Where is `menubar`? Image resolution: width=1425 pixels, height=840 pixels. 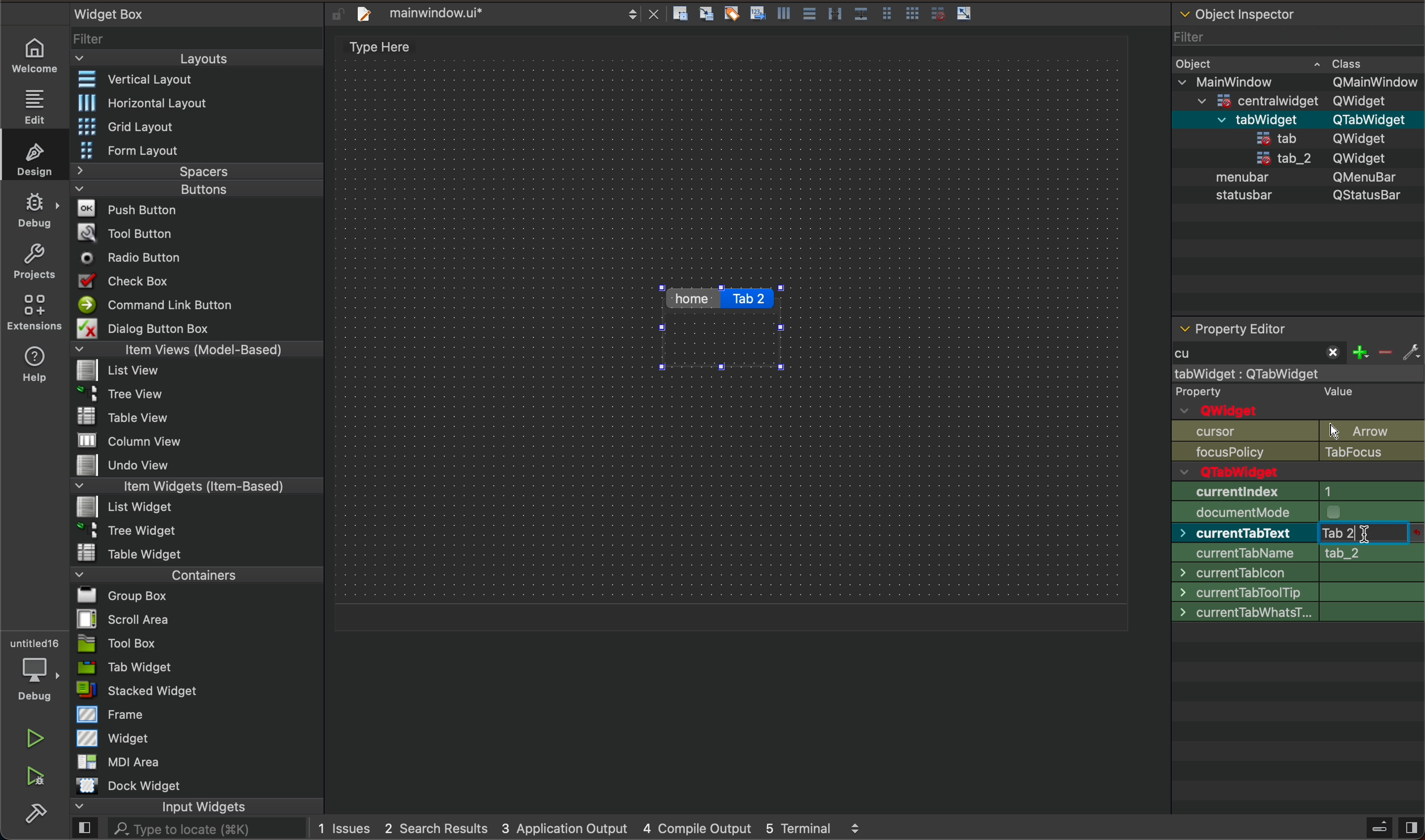
menubar is located at coordinates (1235, 179).